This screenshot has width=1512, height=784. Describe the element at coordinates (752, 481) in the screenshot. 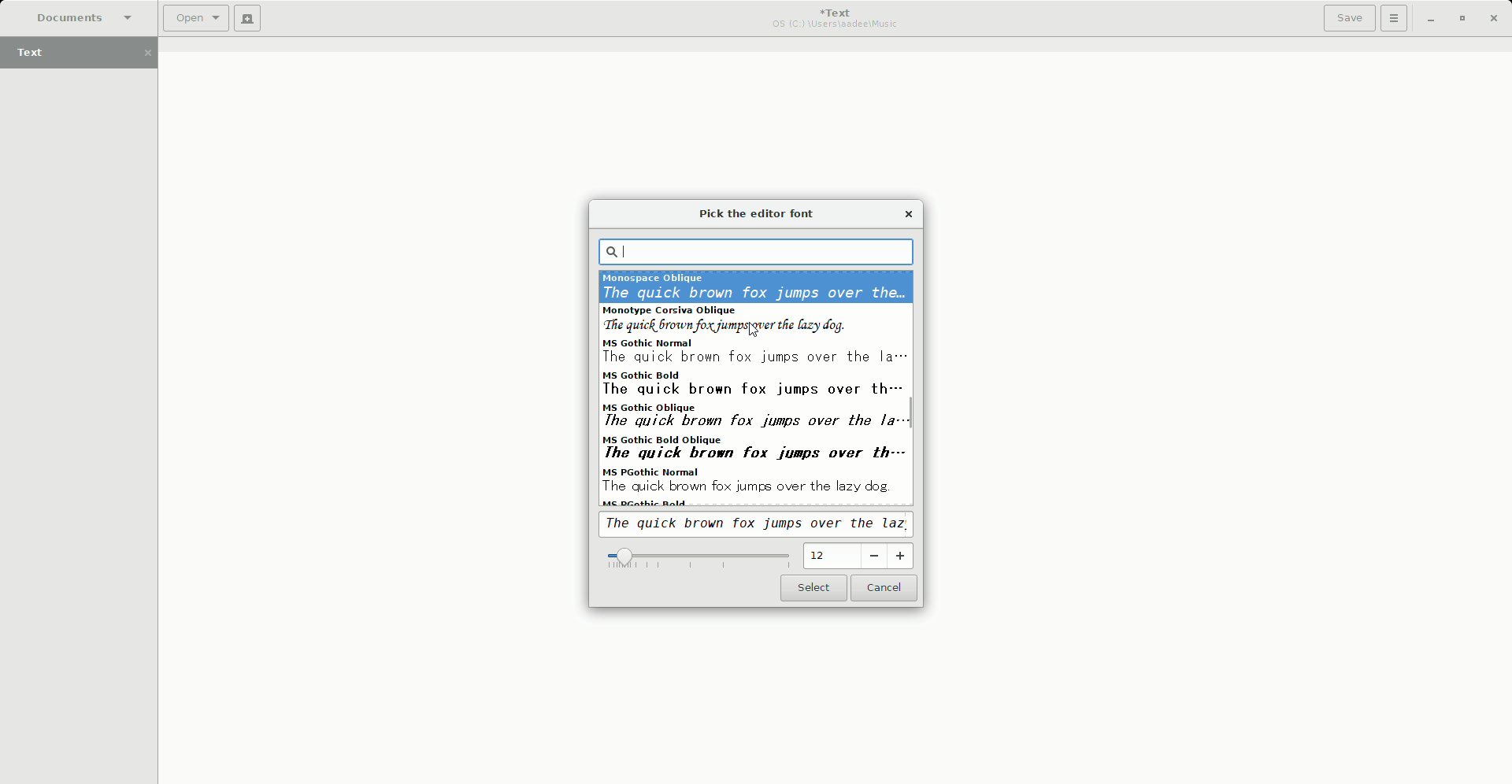

I see `PGothic Normal` at that location.